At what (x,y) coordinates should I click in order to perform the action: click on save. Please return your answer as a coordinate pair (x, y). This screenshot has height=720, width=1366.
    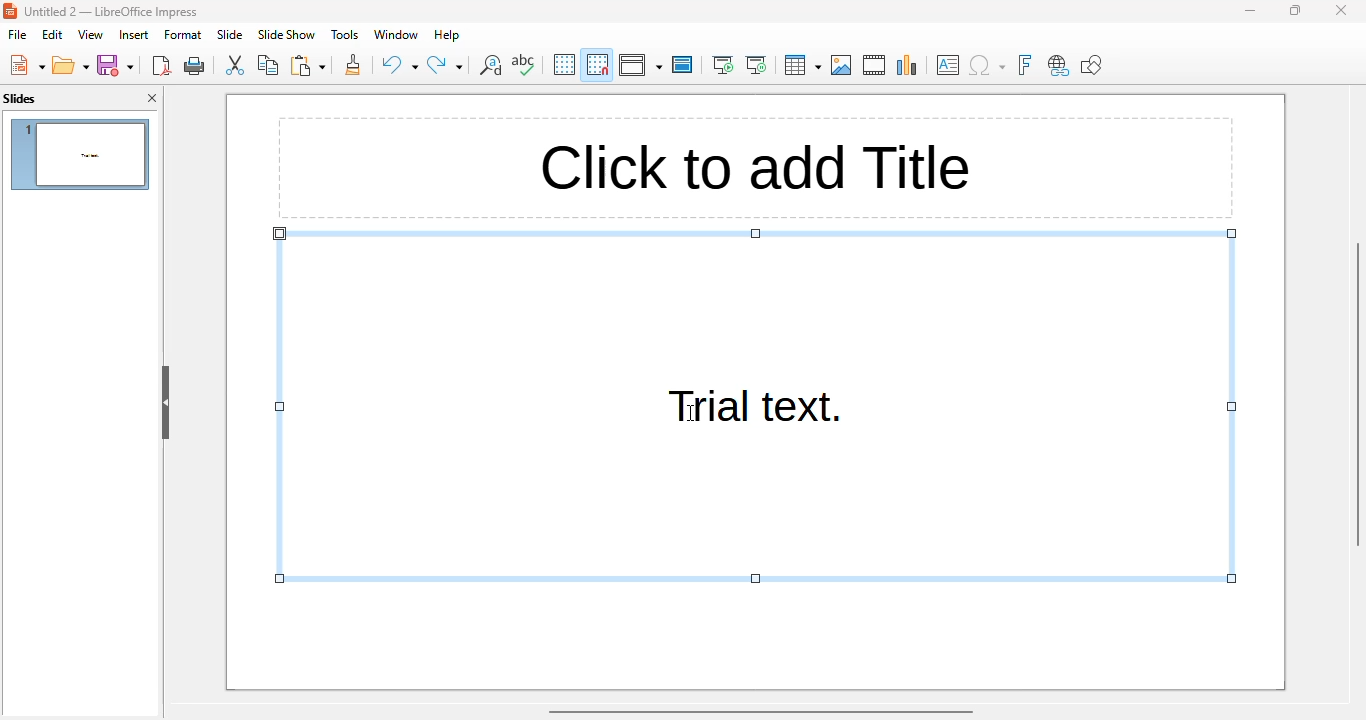
    Looking at the image, I should click on (116, 65).